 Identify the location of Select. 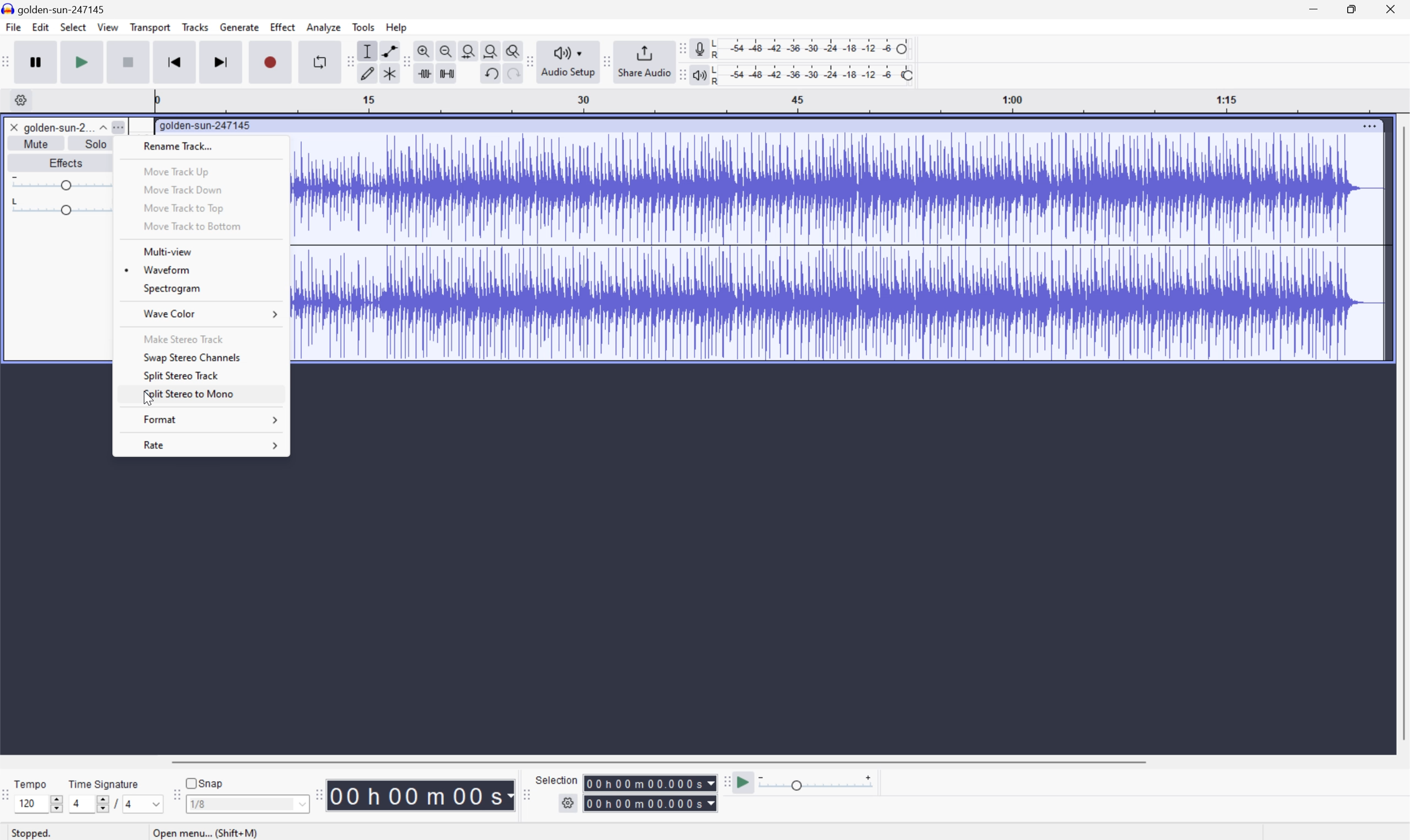
(75, 29).